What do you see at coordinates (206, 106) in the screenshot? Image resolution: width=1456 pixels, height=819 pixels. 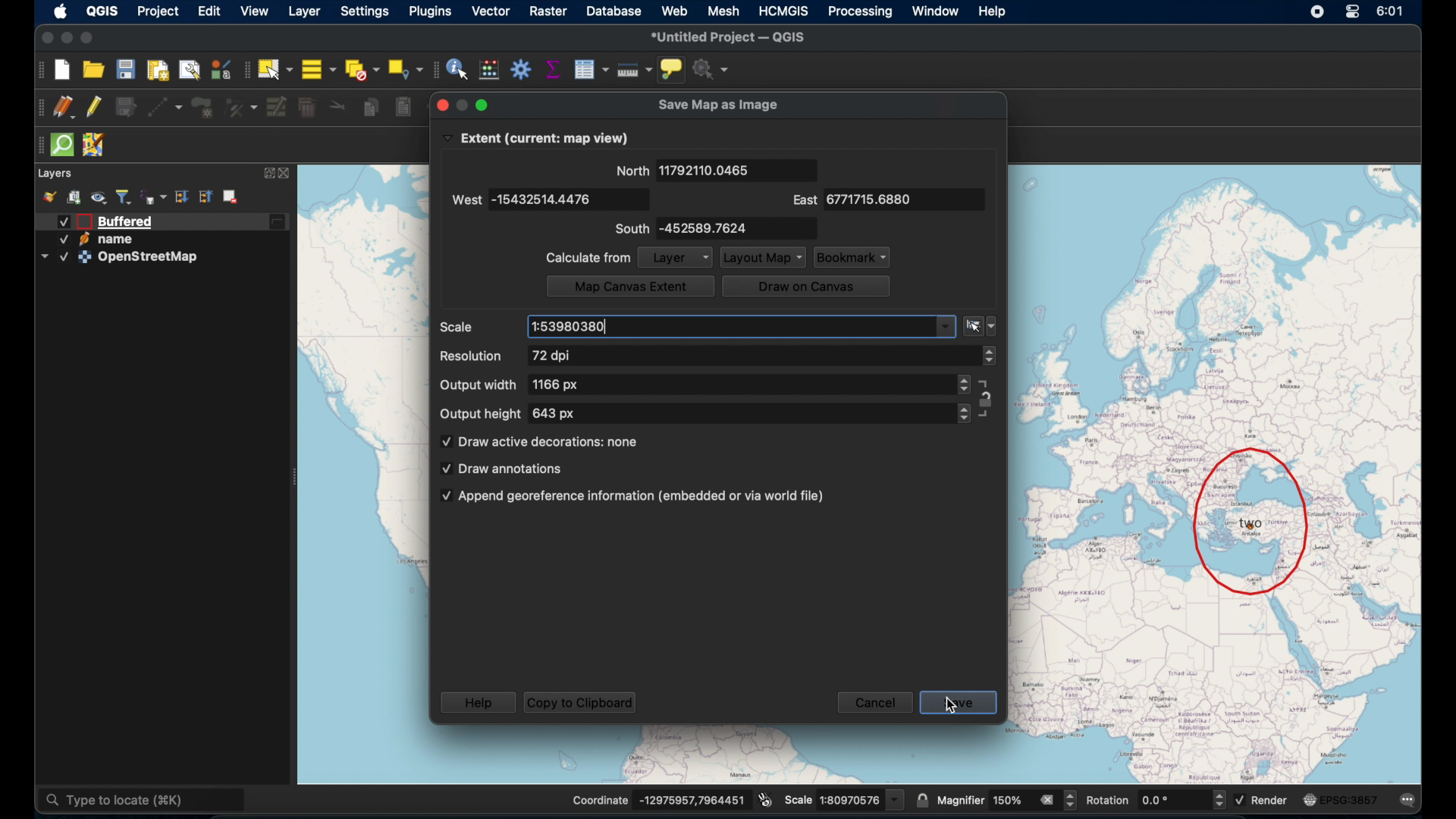 I see `add polygon feature` at bounding box center [206, 106].